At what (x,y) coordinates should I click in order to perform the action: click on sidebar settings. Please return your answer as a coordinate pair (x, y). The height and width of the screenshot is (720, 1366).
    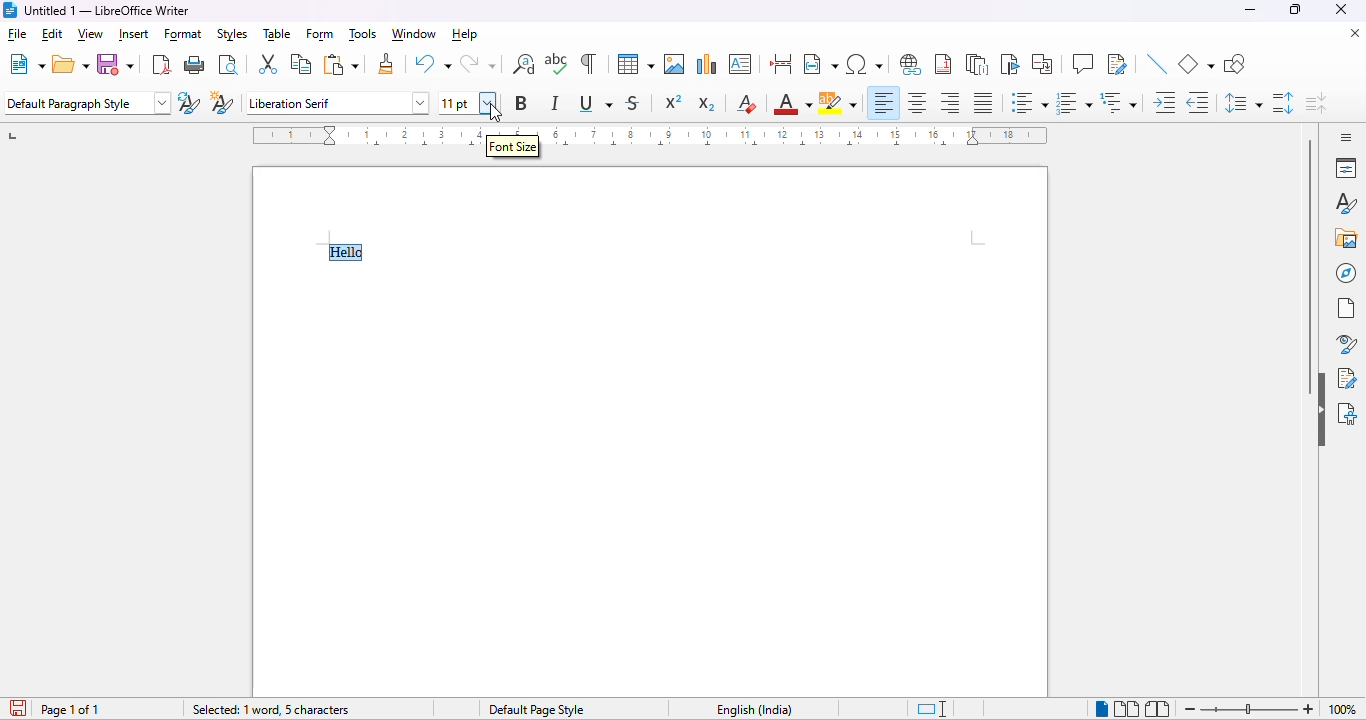
    Looking at the image, I should click on (1346, 137).